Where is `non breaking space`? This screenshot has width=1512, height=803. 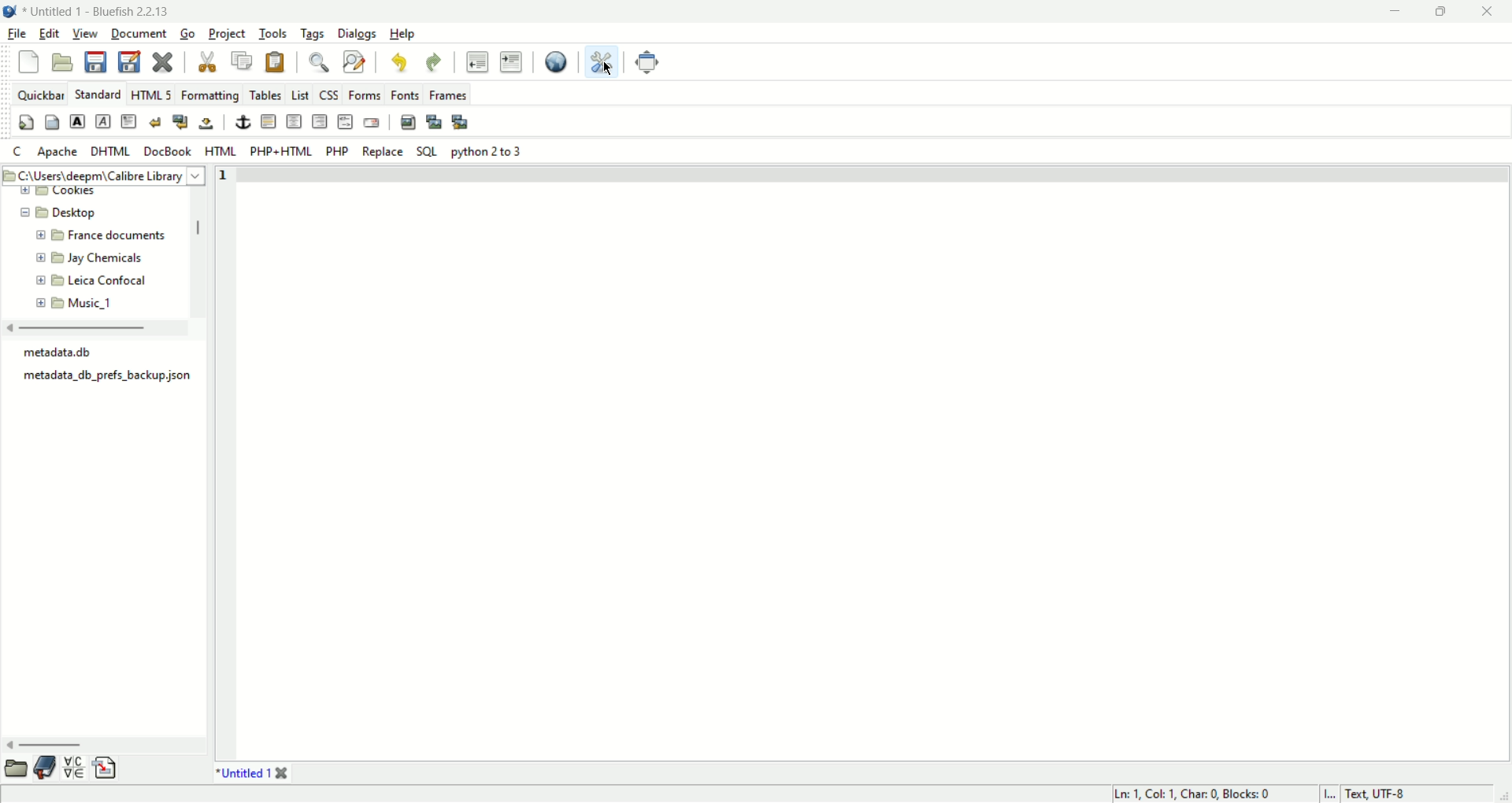 non breaking space is located at coordinates (206, 122).